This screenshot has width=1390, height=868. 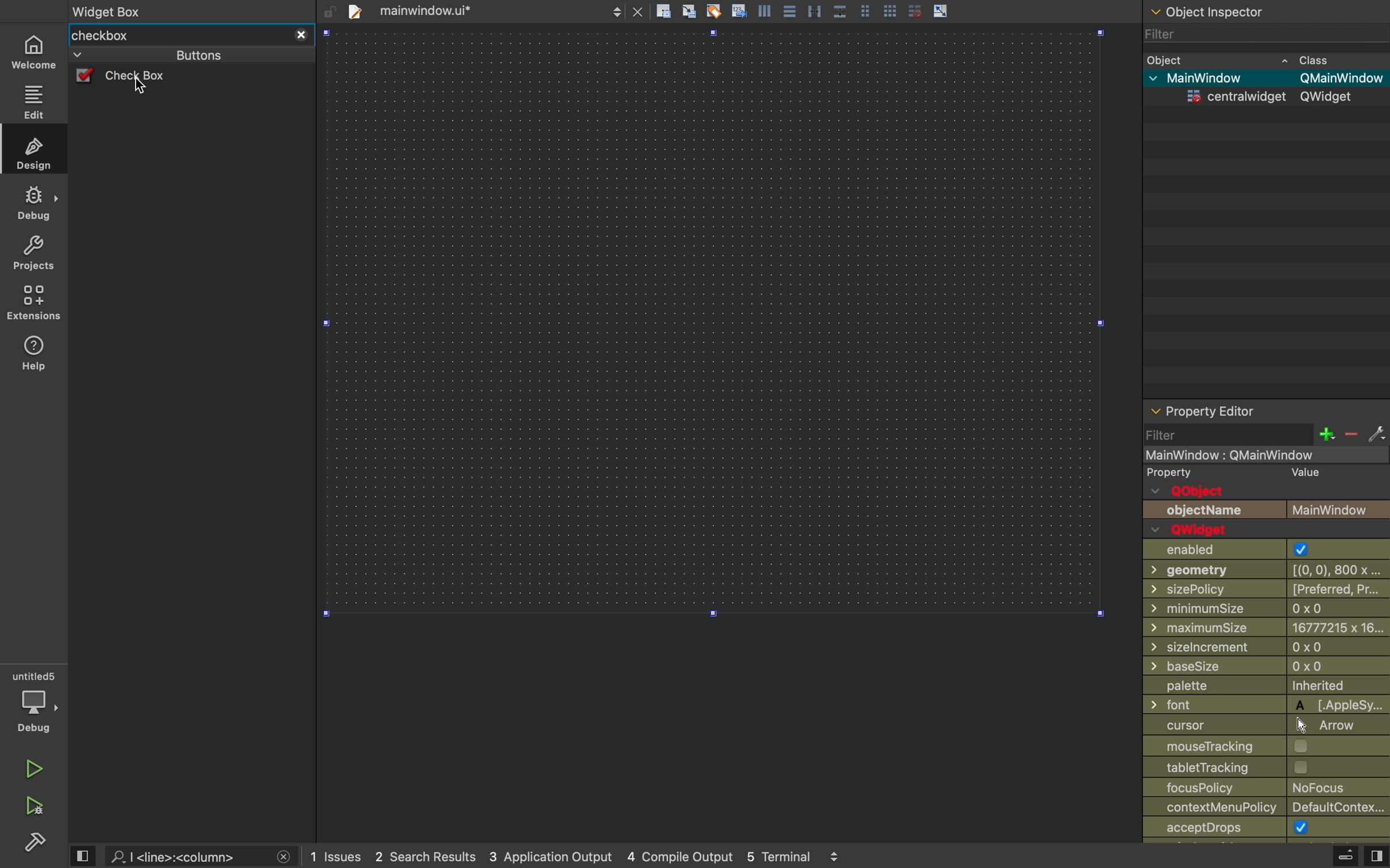 What do you see at coordinates (301, 36) in the screenshot?
I see `close` at bounding box center [301, 36].